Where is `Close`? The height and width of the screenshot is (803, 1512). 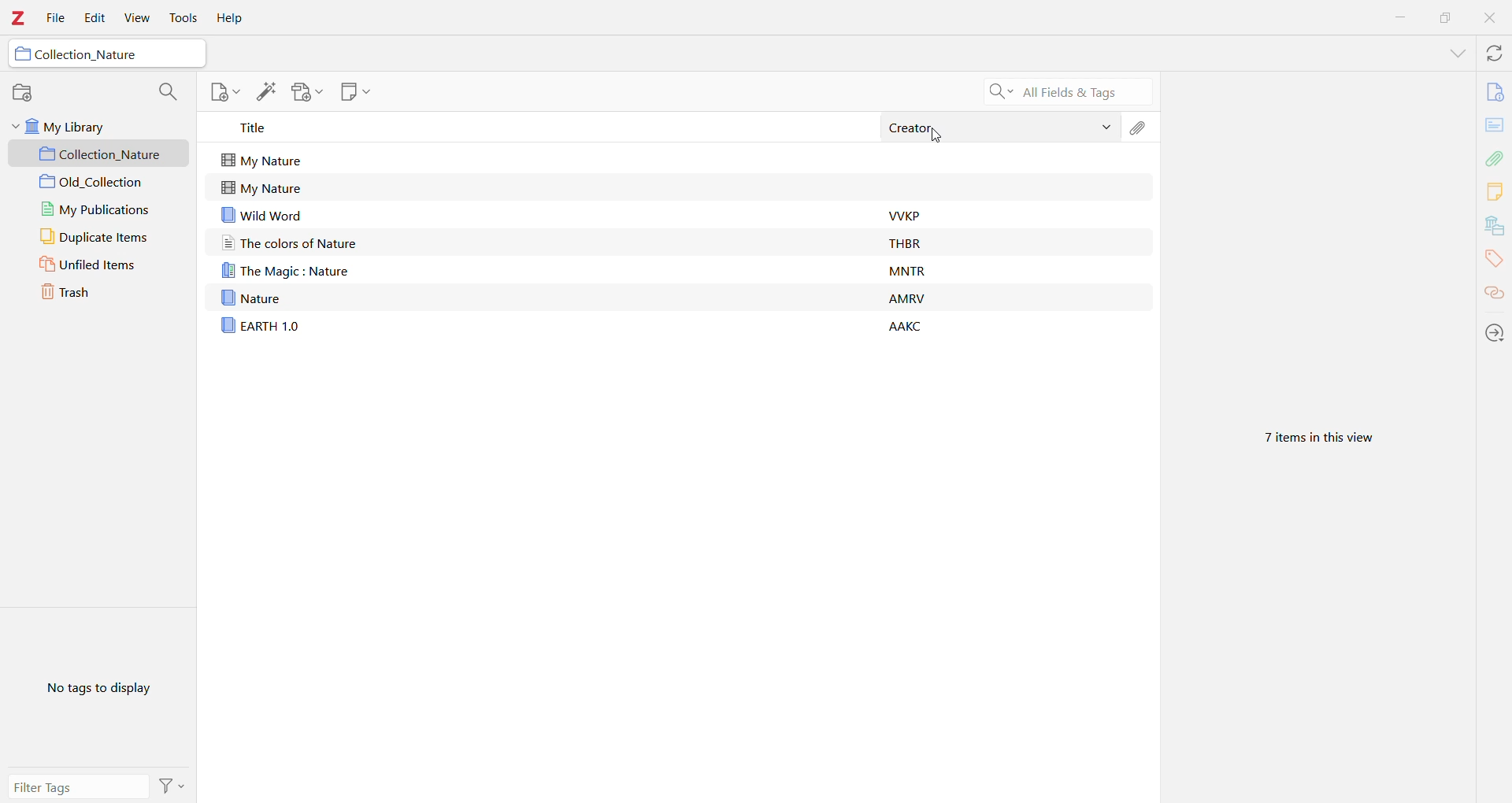
Close is located at coordinates (1491, 17).